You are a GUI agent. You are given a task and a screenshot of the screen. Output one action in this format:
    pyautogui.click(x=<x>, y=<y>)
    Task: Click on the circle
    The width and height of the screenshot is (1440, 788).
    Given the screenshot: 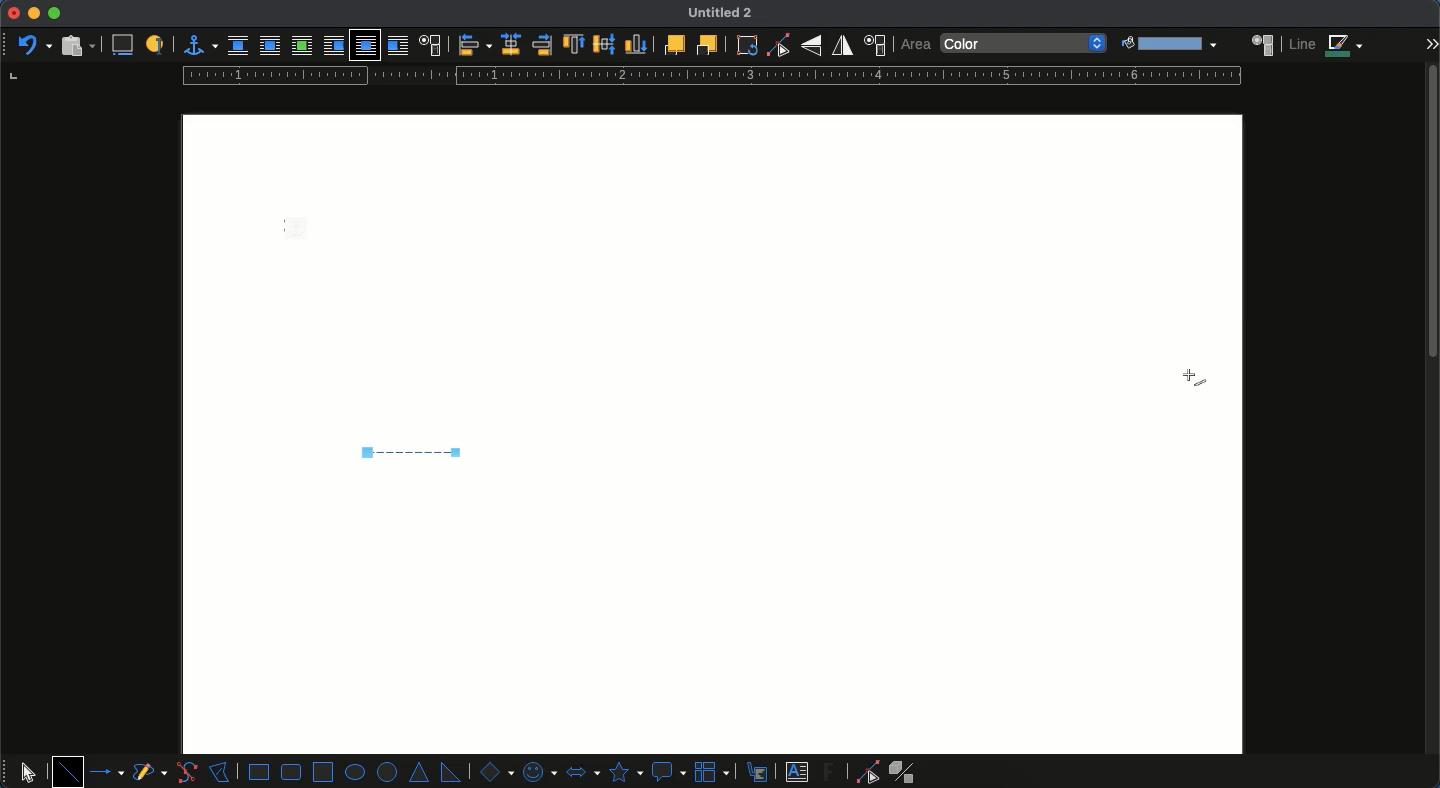 What is the action you would take?
    pyautogui.click(x=389, y=773)
    